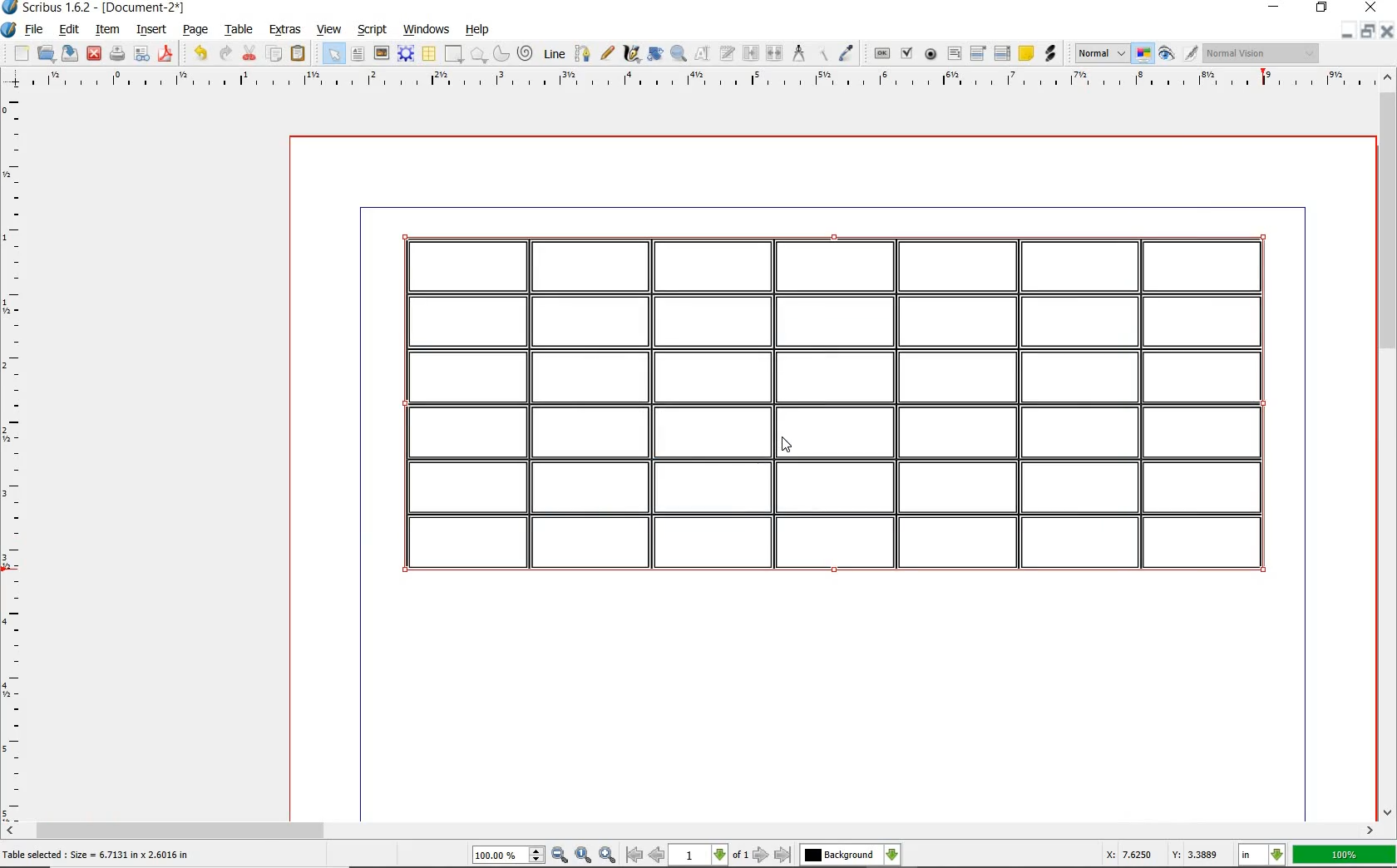  Describe the element at coordinates (70, 31) in the screenshot. I see `edit` at that location.